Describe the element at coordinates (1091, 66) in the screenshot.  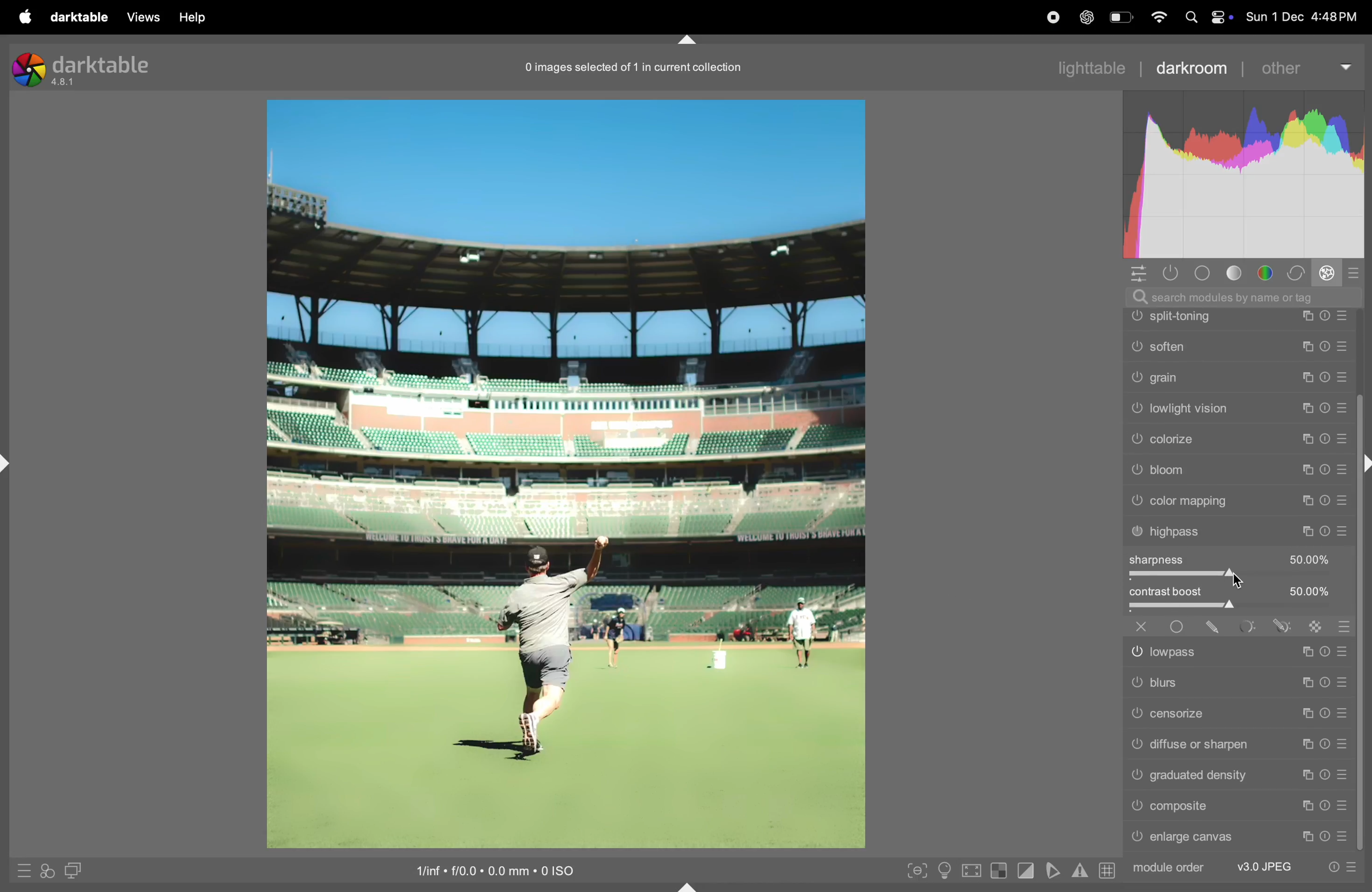
I see `lighttable` at that location.